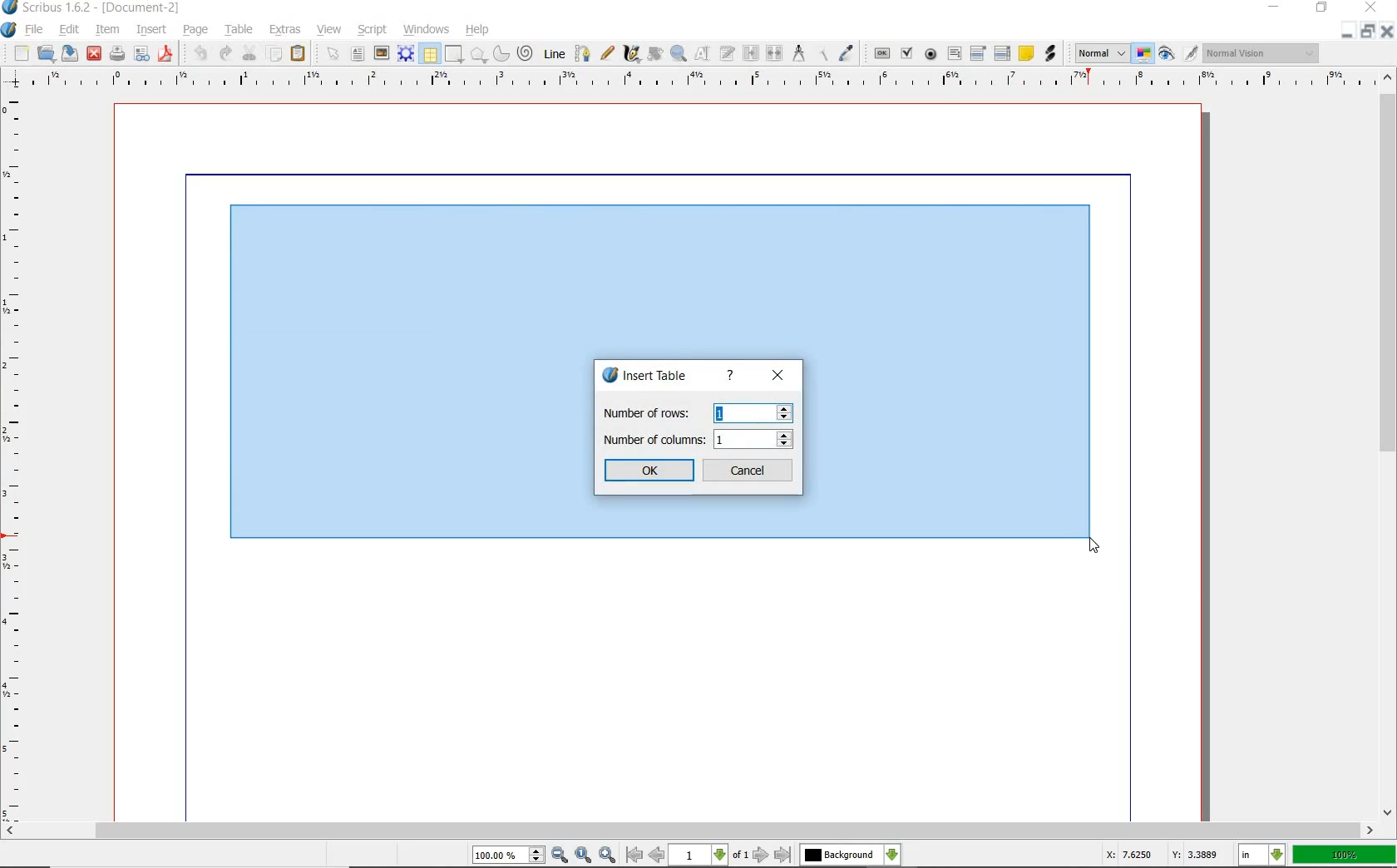  What do you see at coordinates (725, 55) in the screenshot?
I see `edit frame with story editor` at bounding box center [725, 55].